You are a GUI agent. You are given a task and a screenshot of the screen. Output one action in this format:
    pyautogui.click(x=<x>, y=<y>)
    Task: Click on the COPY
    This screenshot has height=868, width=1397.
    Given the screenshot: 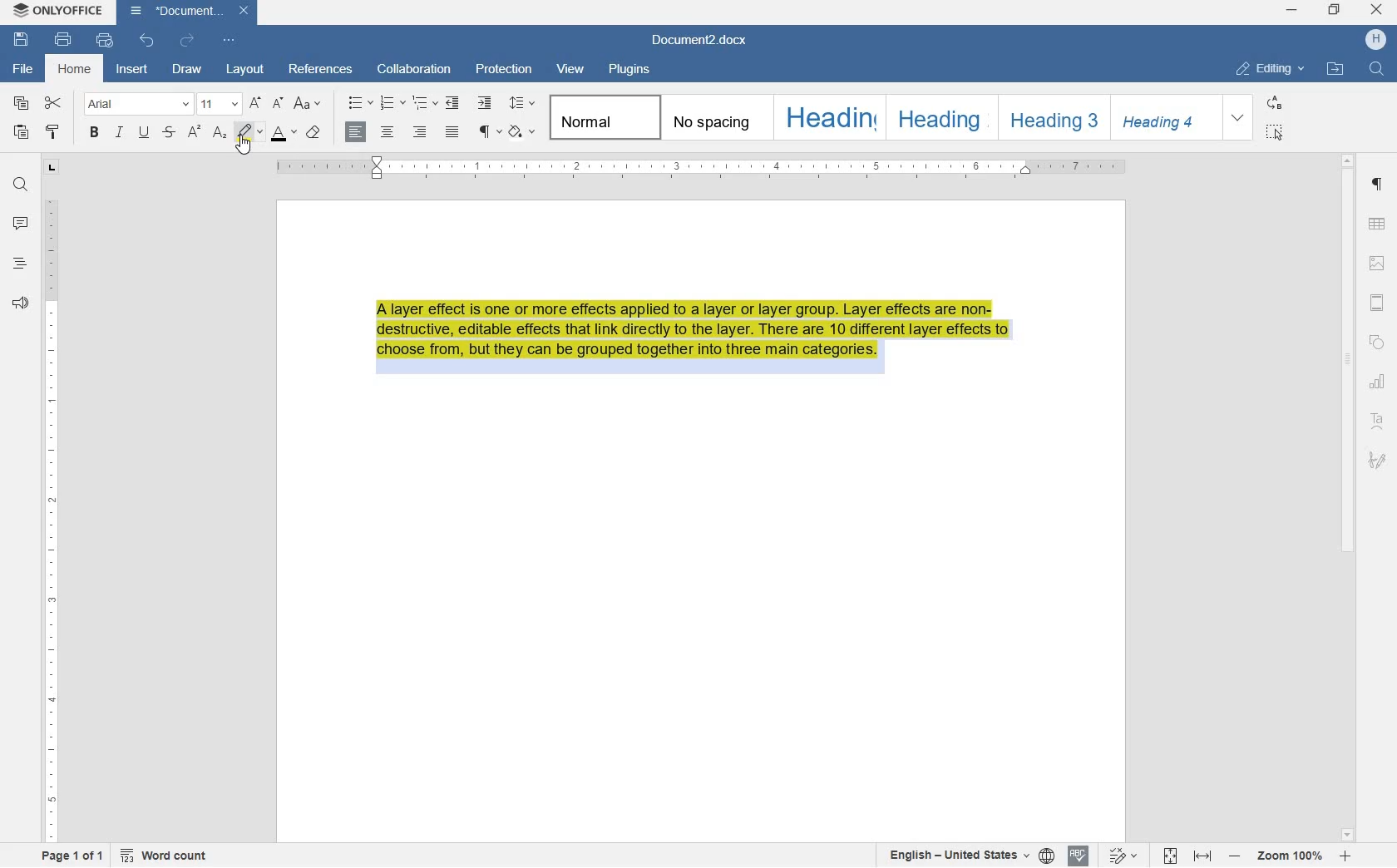 What is the action you would take?
    pyautogui.click(x=21, y=104)
    